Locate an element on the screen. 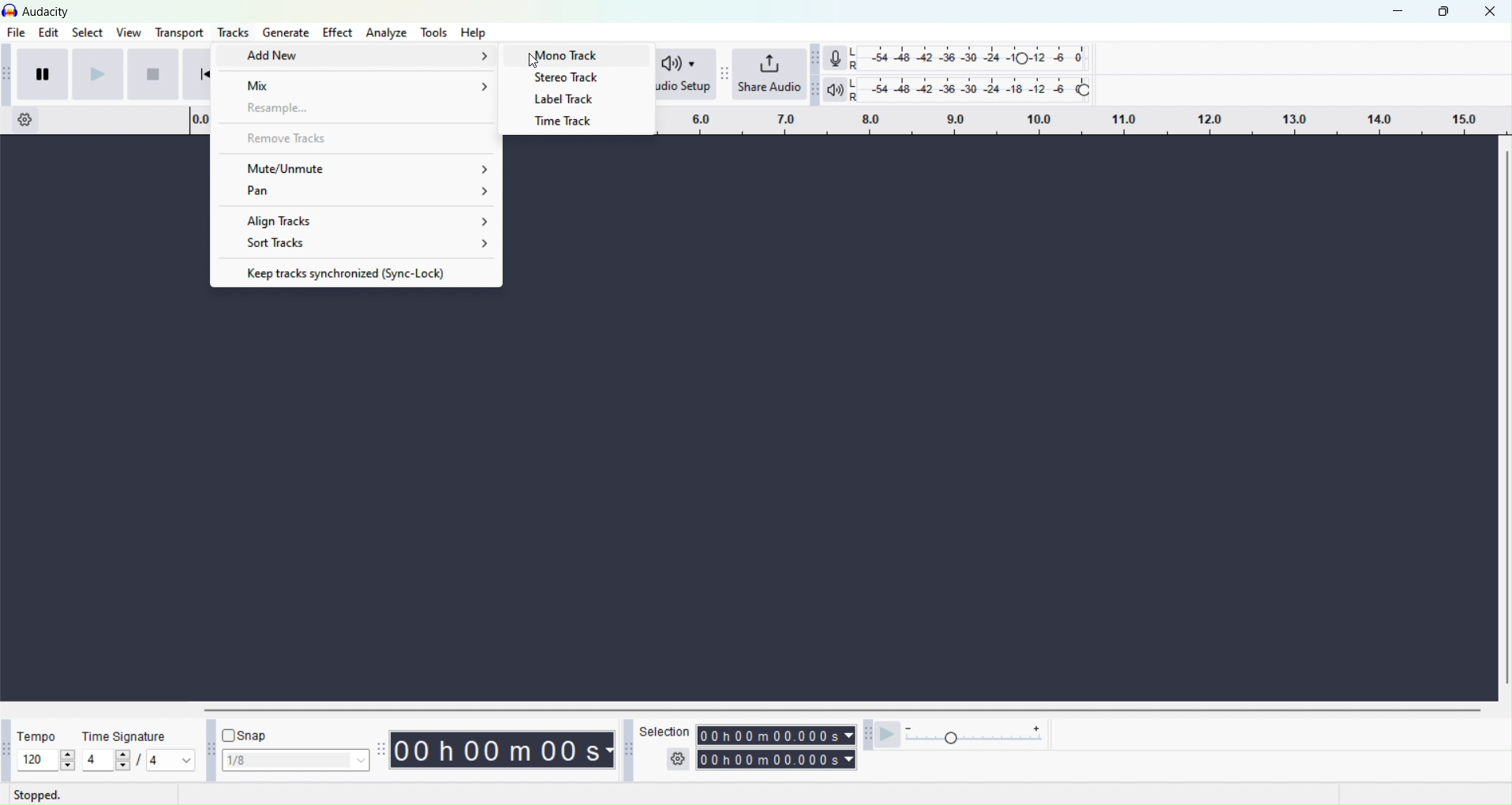  Play at speed is located at coordinates (891, 736).